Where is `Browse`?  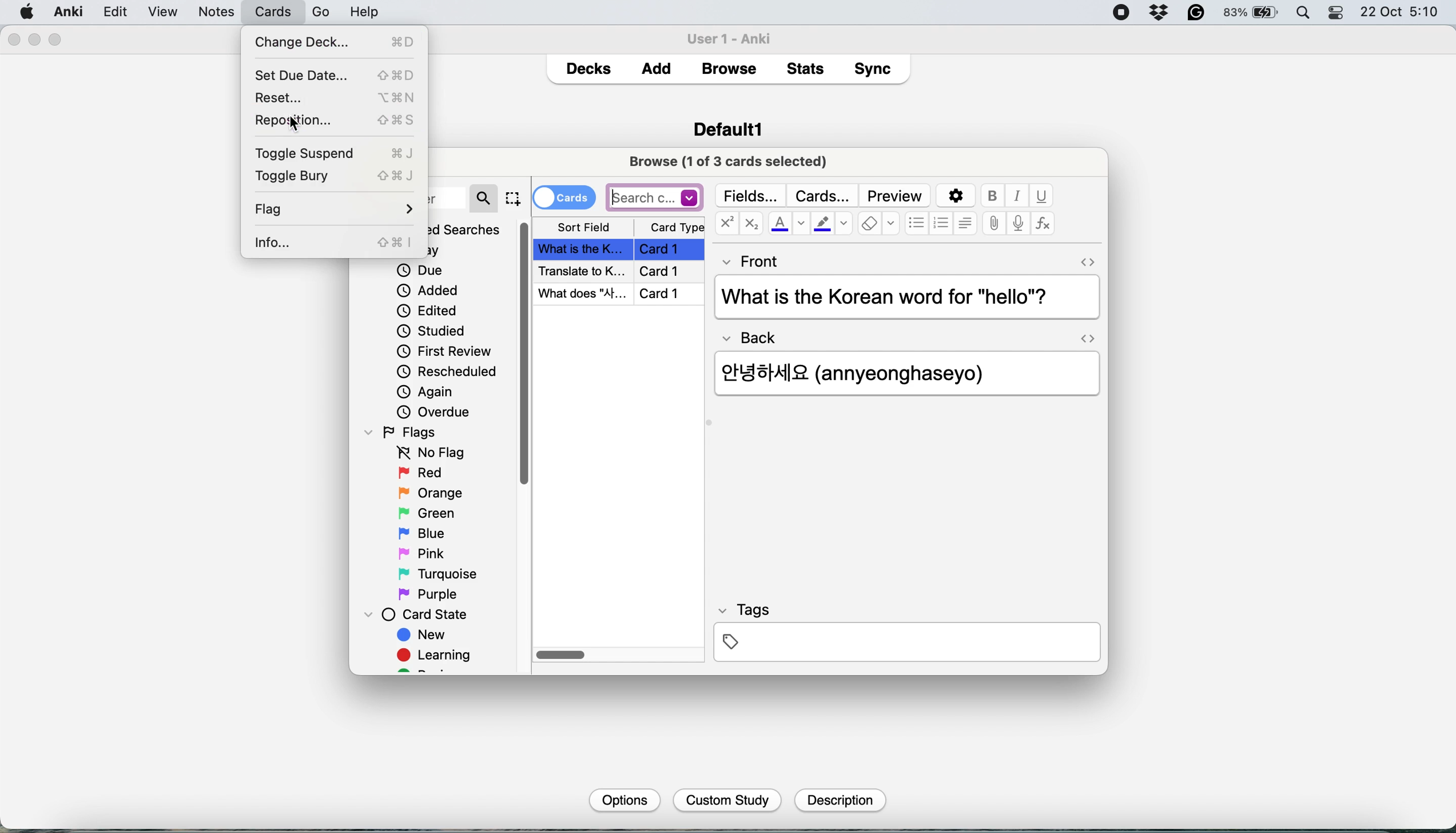 Browse is located at coordinates (728, 69).